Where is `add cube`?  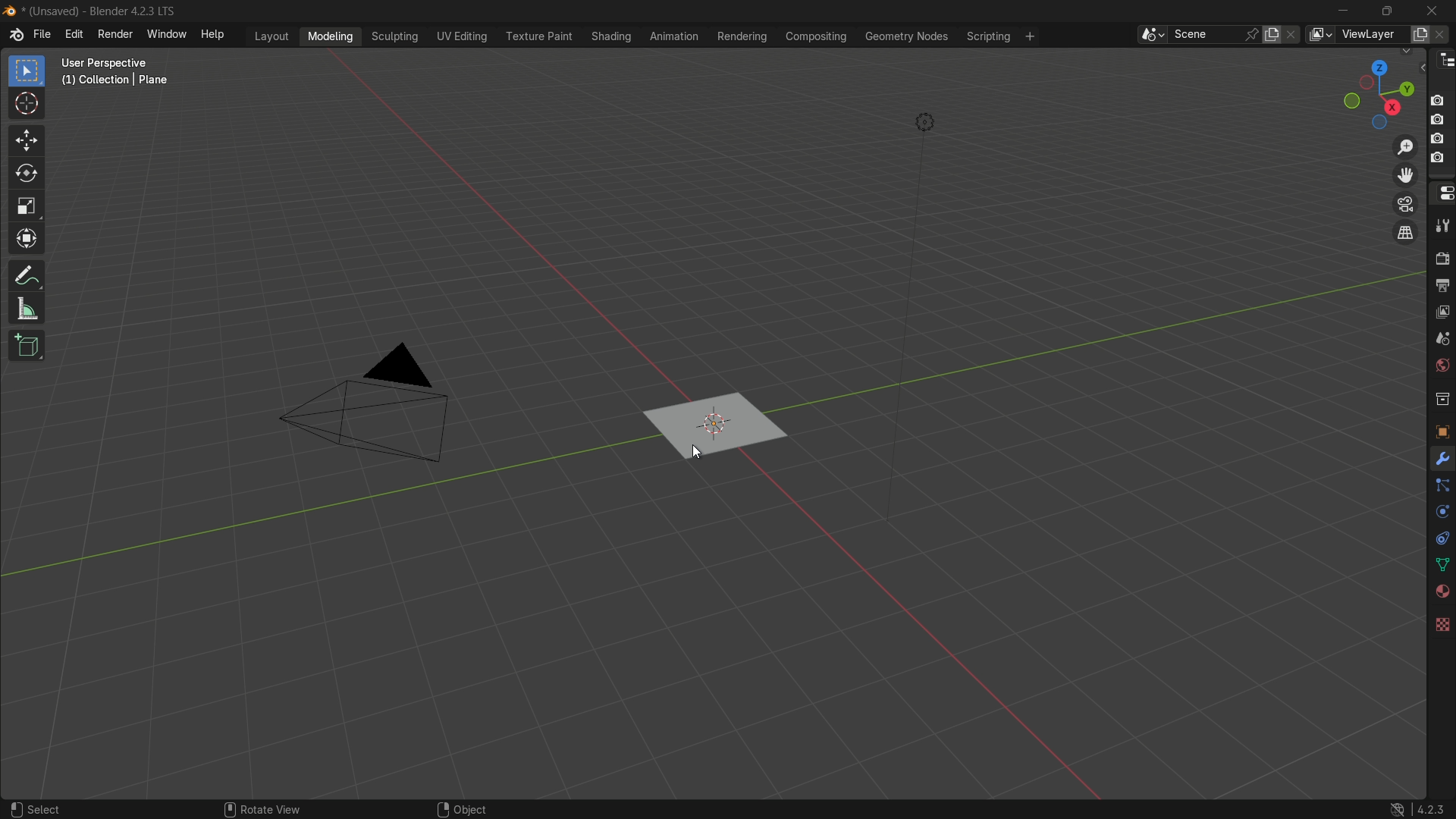 add cube is located at coordinates (28, 348).